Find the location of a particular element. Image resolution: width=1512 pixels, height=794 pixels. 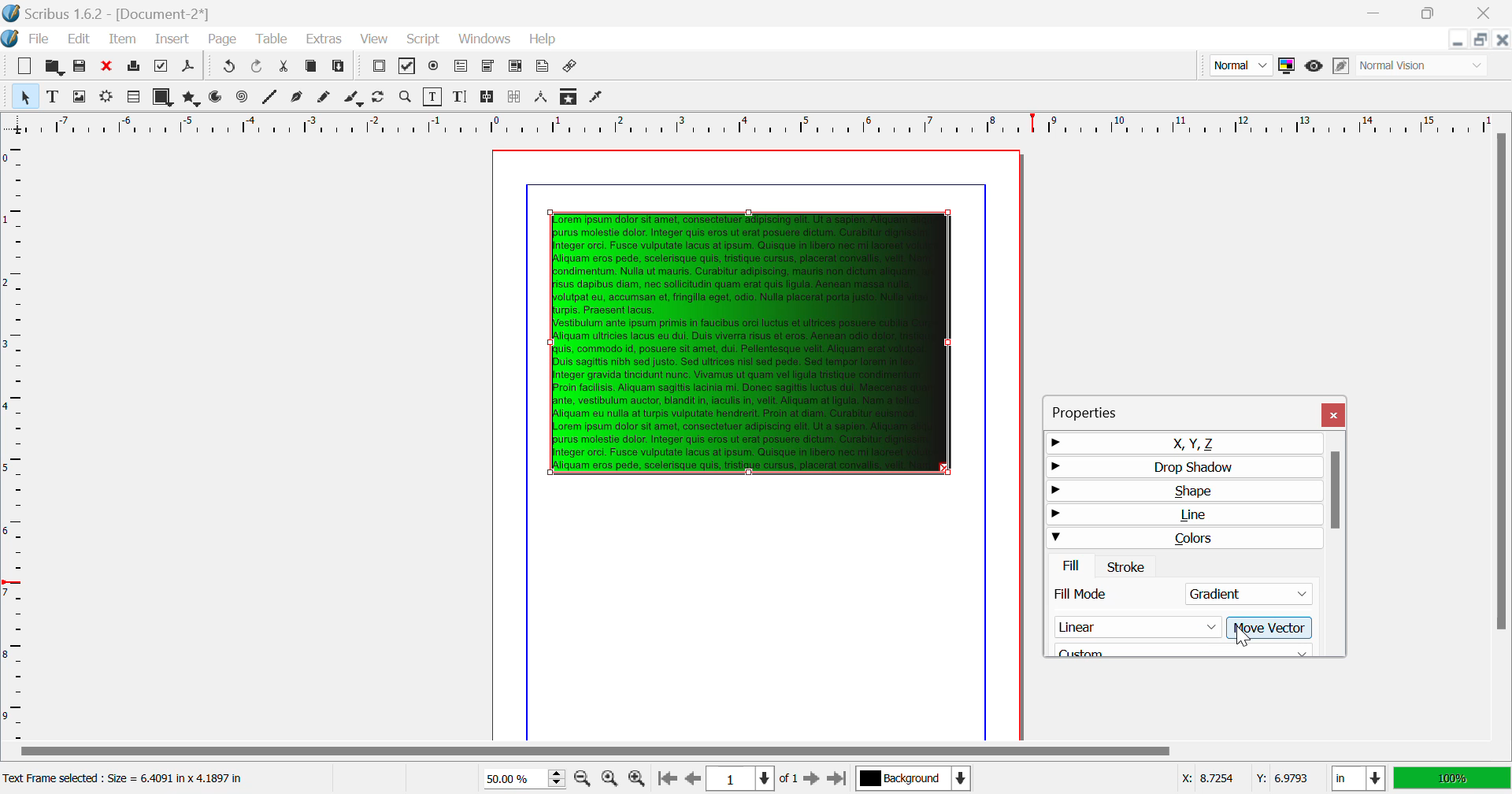

Save is located at coordinates (80, 66).